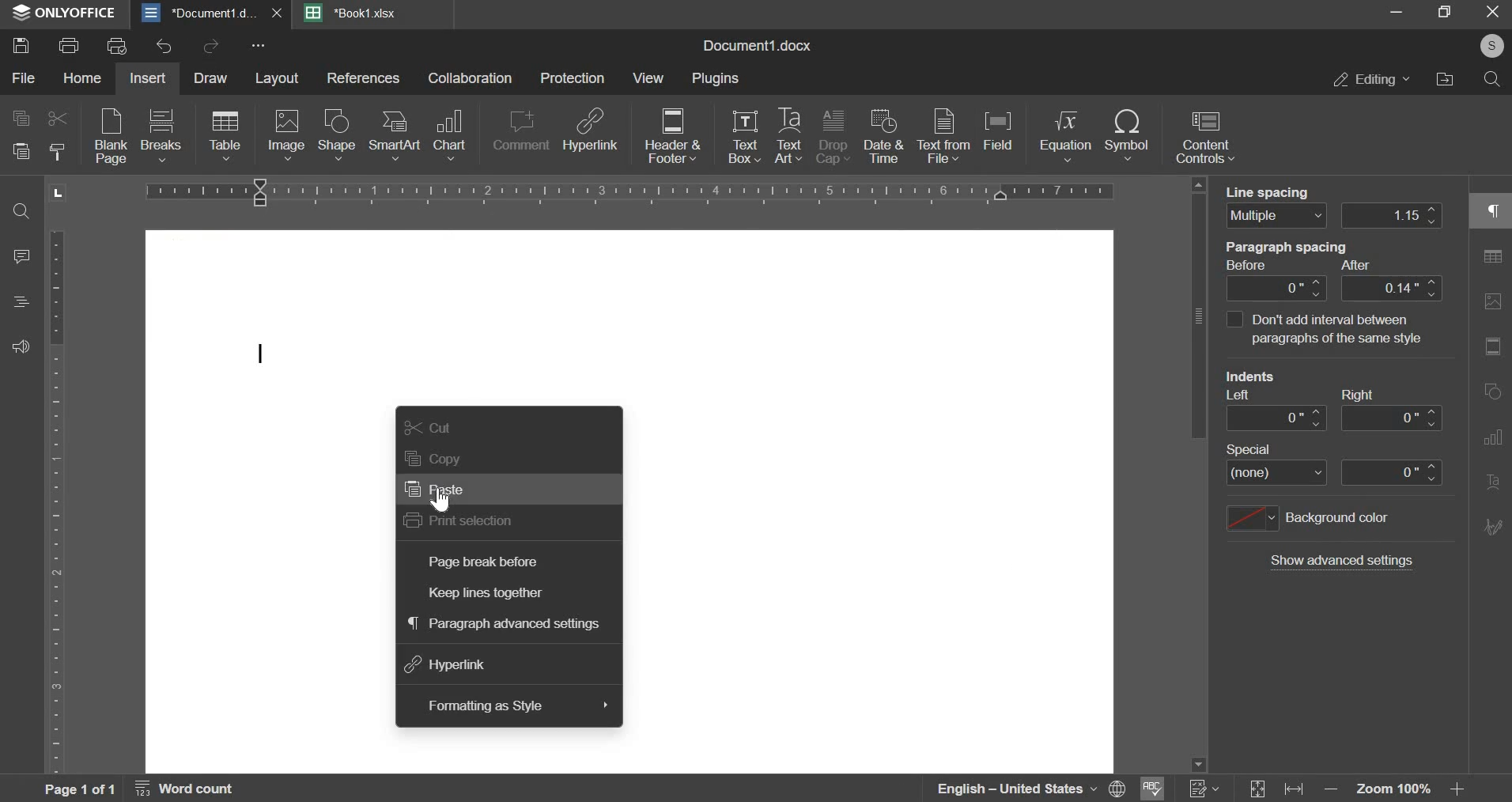  What do you see at coordinates (24, 256) in the screenshot?
I see `comment` at bounding box center [24, 256].